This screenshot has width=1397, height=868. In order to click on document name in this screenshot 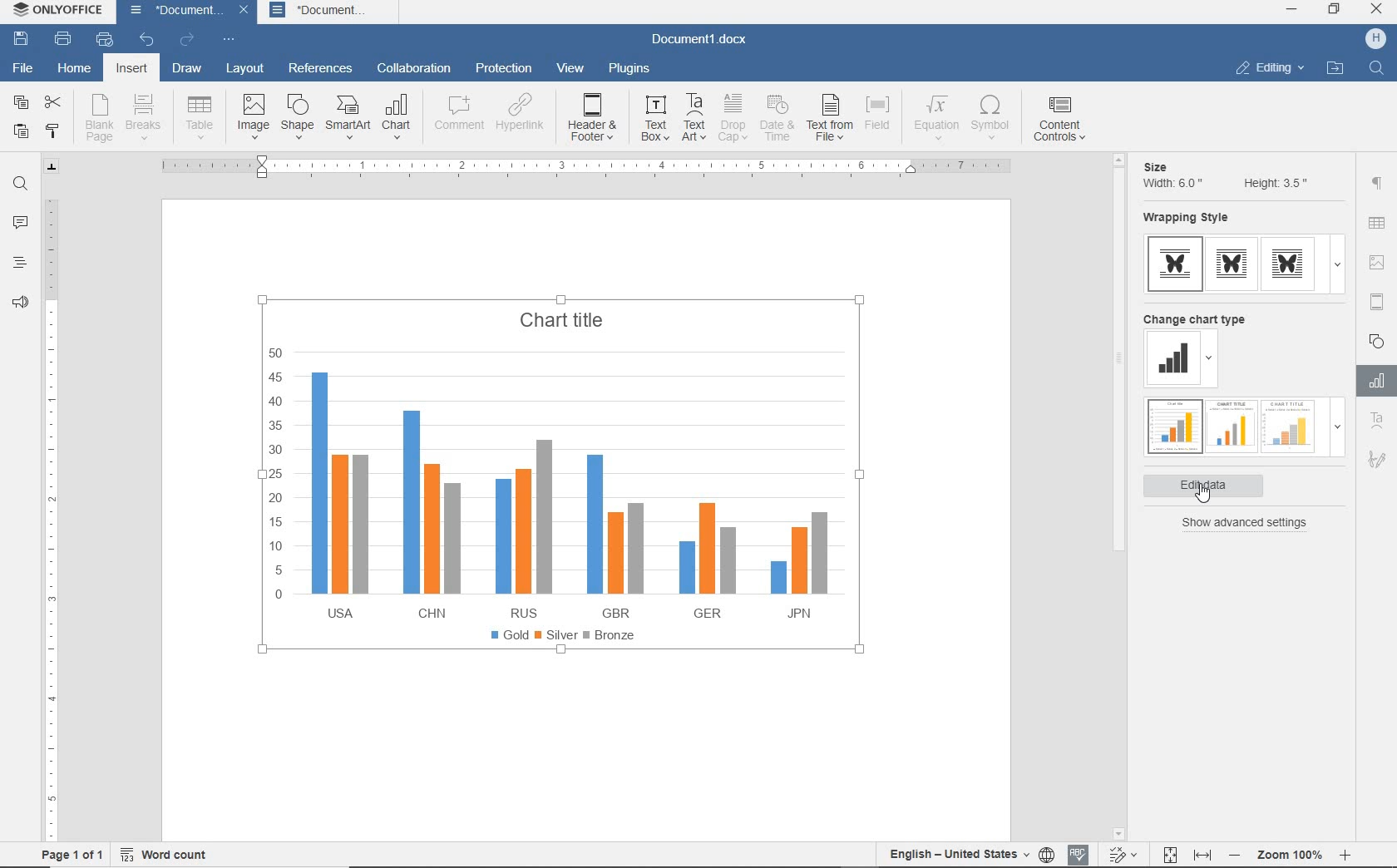, I will do `click(171, 12)`.